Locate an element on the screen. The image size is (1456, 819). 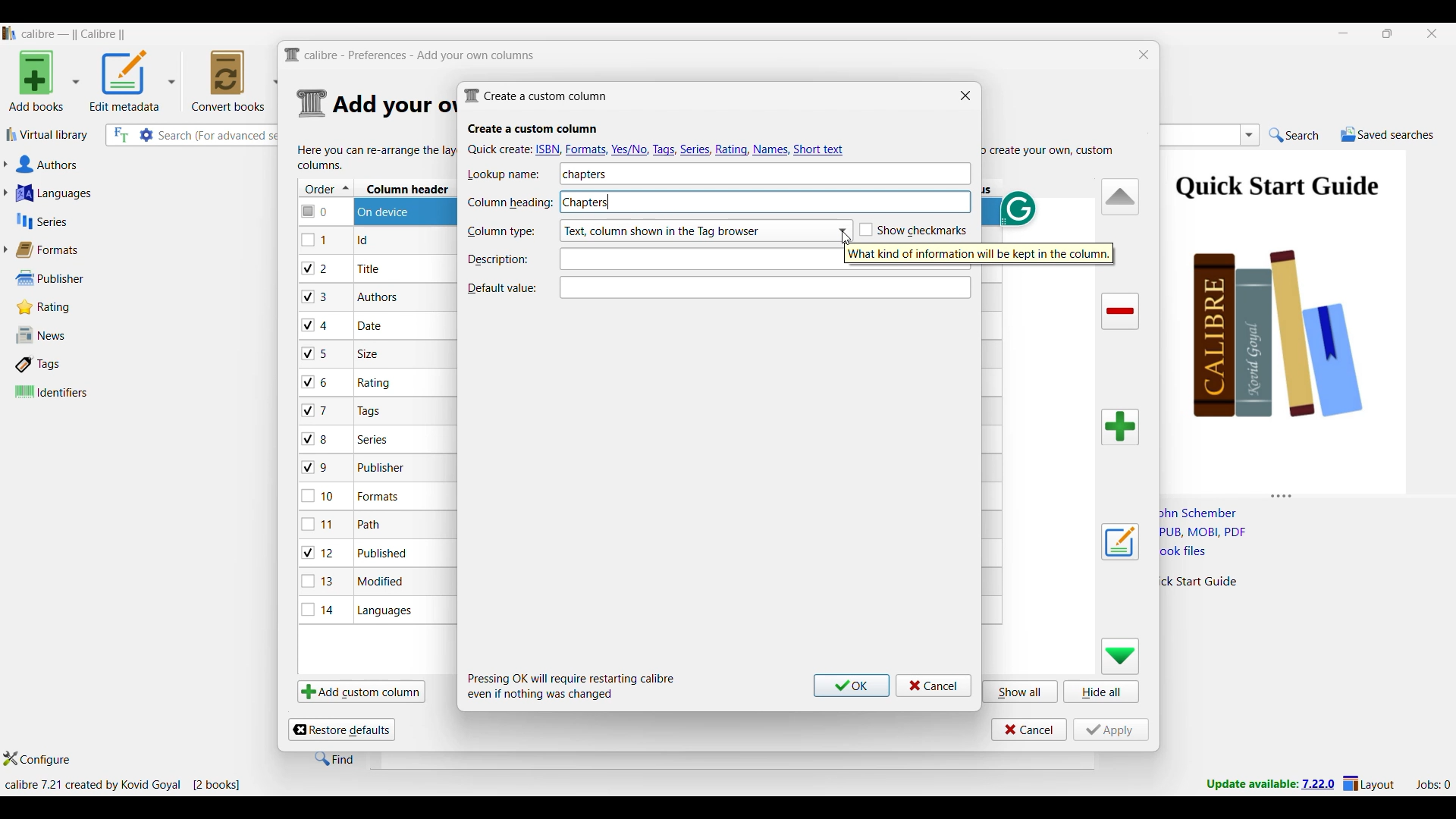
Change height of columns attached to this panel is located at coordinates (1307, 493).